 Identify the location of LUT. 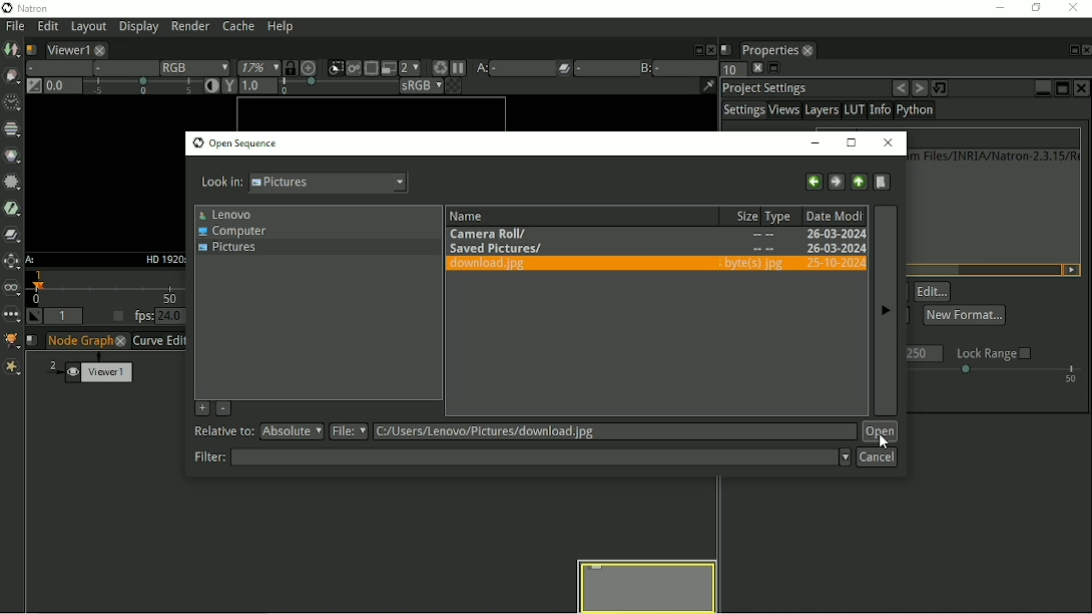
(854, 110).